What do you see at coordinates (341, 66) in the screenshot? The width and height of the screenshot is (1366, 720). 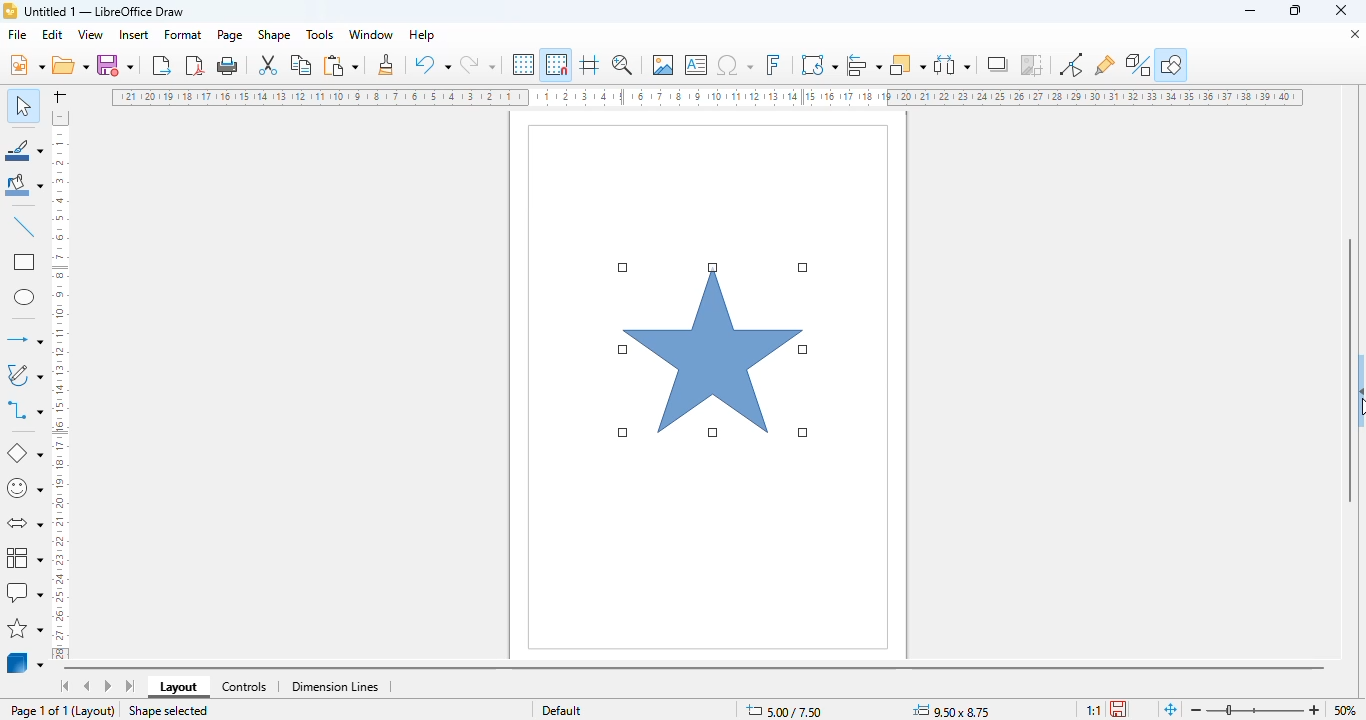 I see `paste` at bounding box center [341, 66].